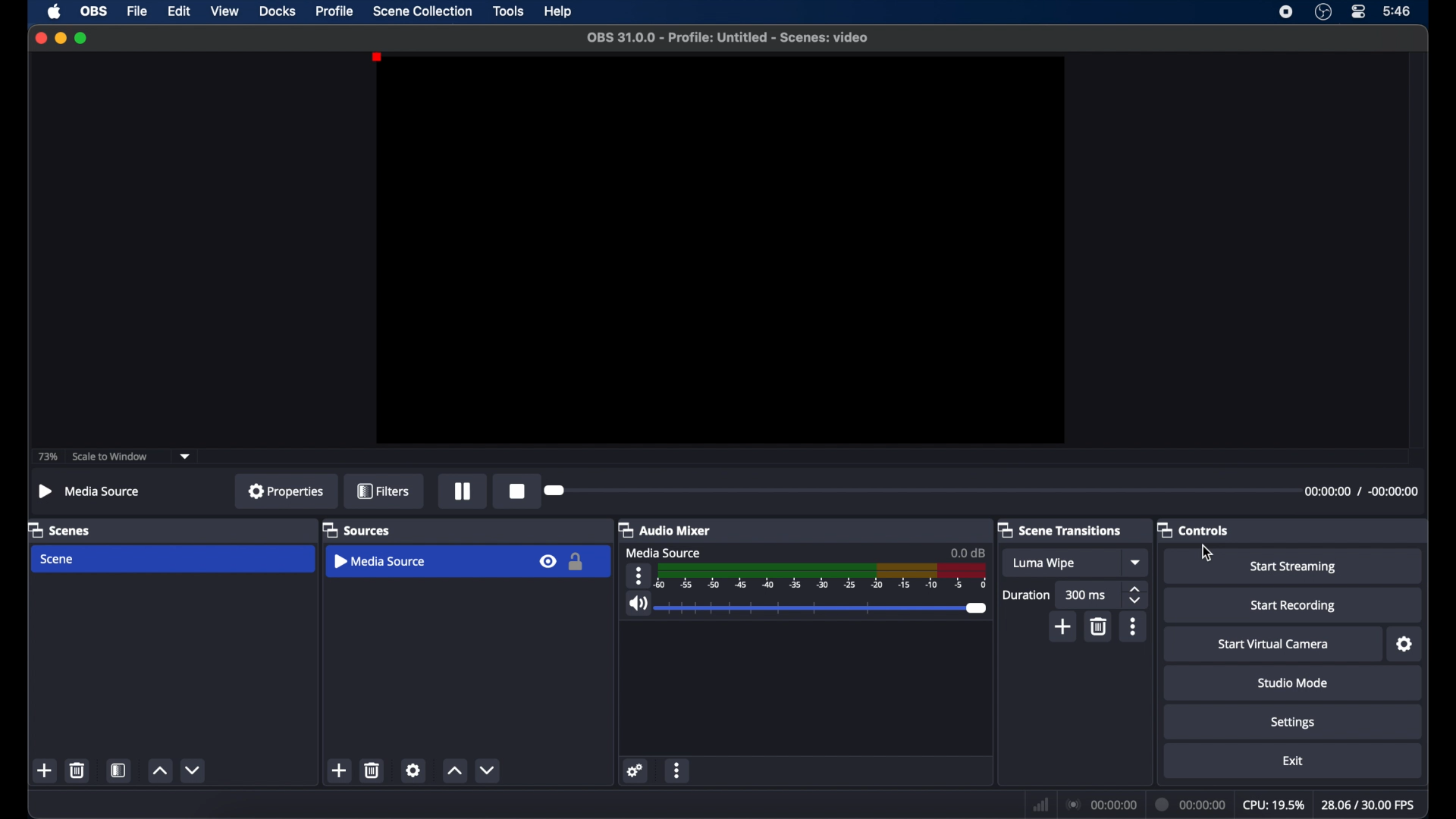  I want to click on duration, so click(1188, 804).